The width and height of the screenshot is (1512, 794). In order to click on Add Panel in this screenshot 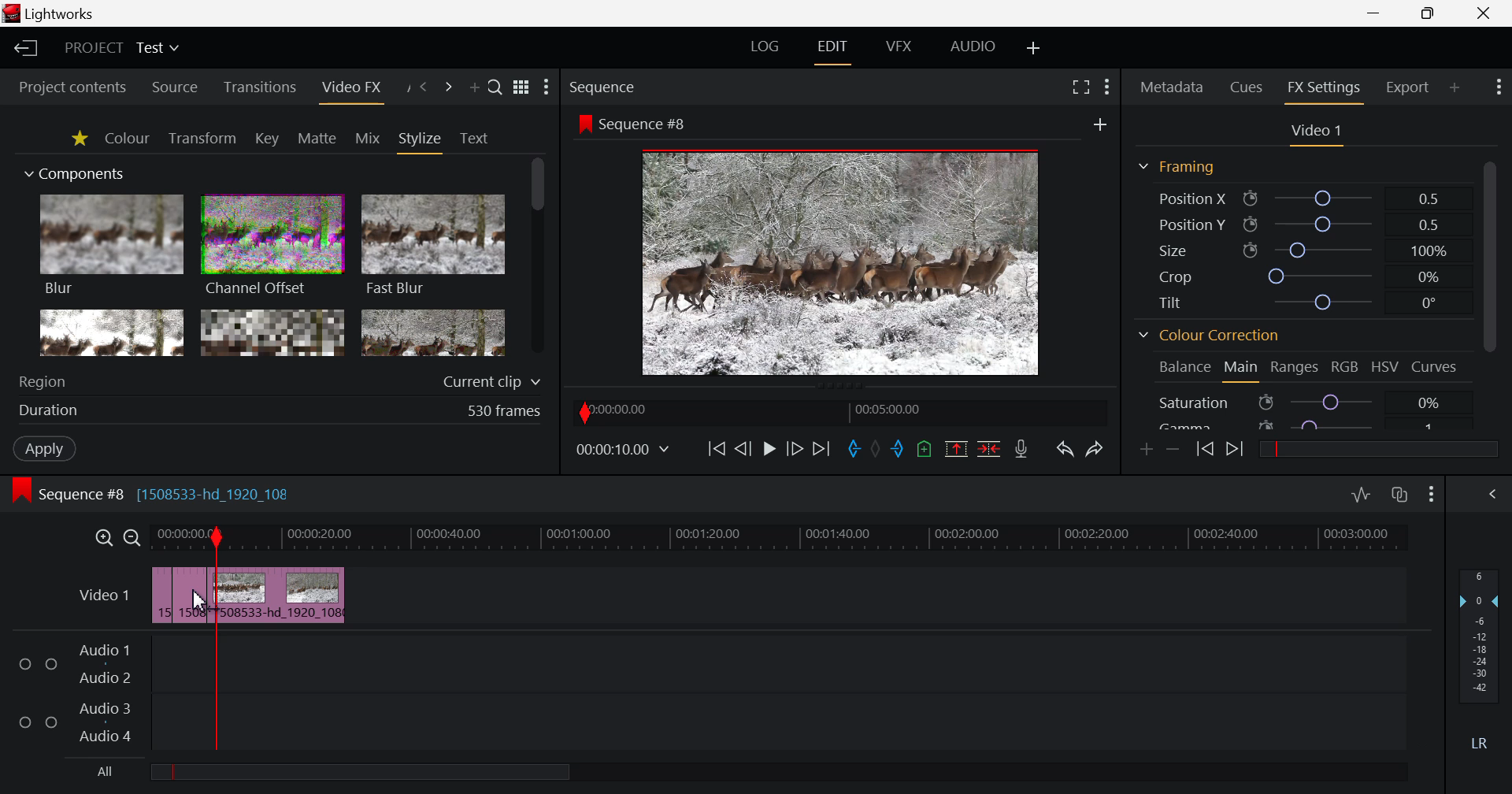, I will do `click(474, 87)`.